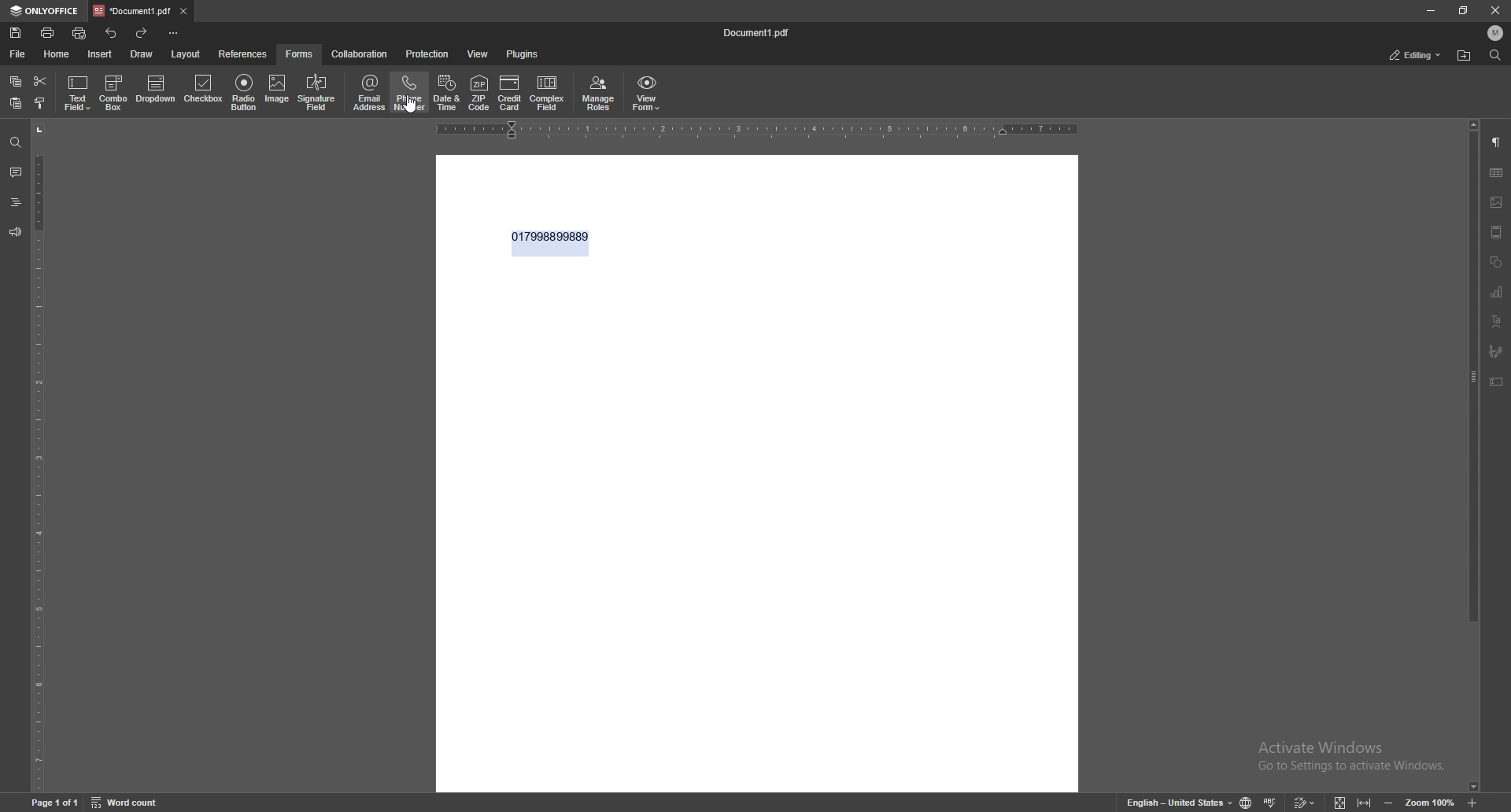 The height and width of the screenshot is (812, 1511). What do you see at coordinates (647, 92) in the screenshot?
I see `view form` at bounding box center [647, 92].